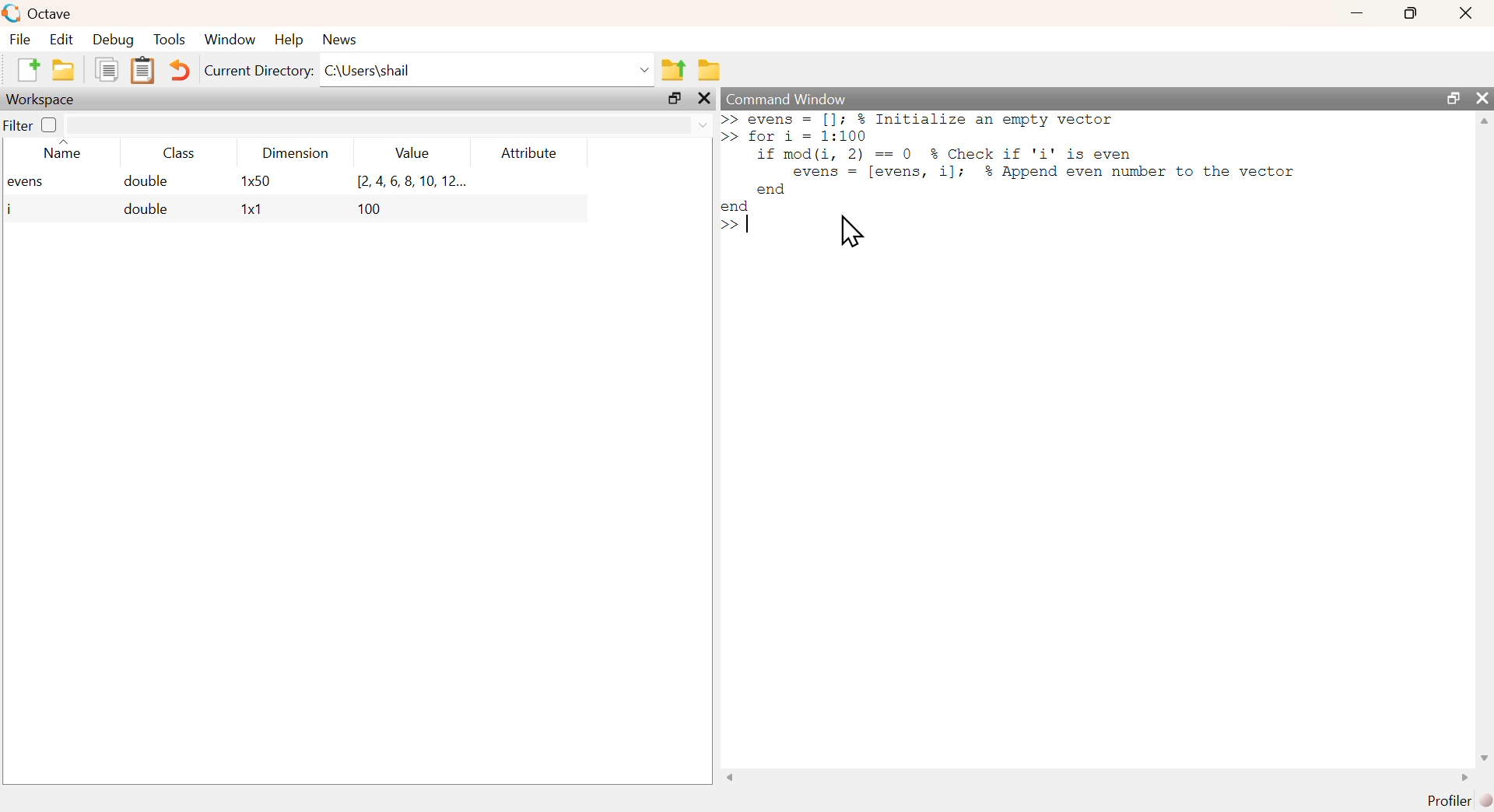 Image resolution: width=1494 pixels, height=812 pixels. Describe the element at coordinates (488, 69) in the screenshot. I see `C:\Users\shail ` at that location.